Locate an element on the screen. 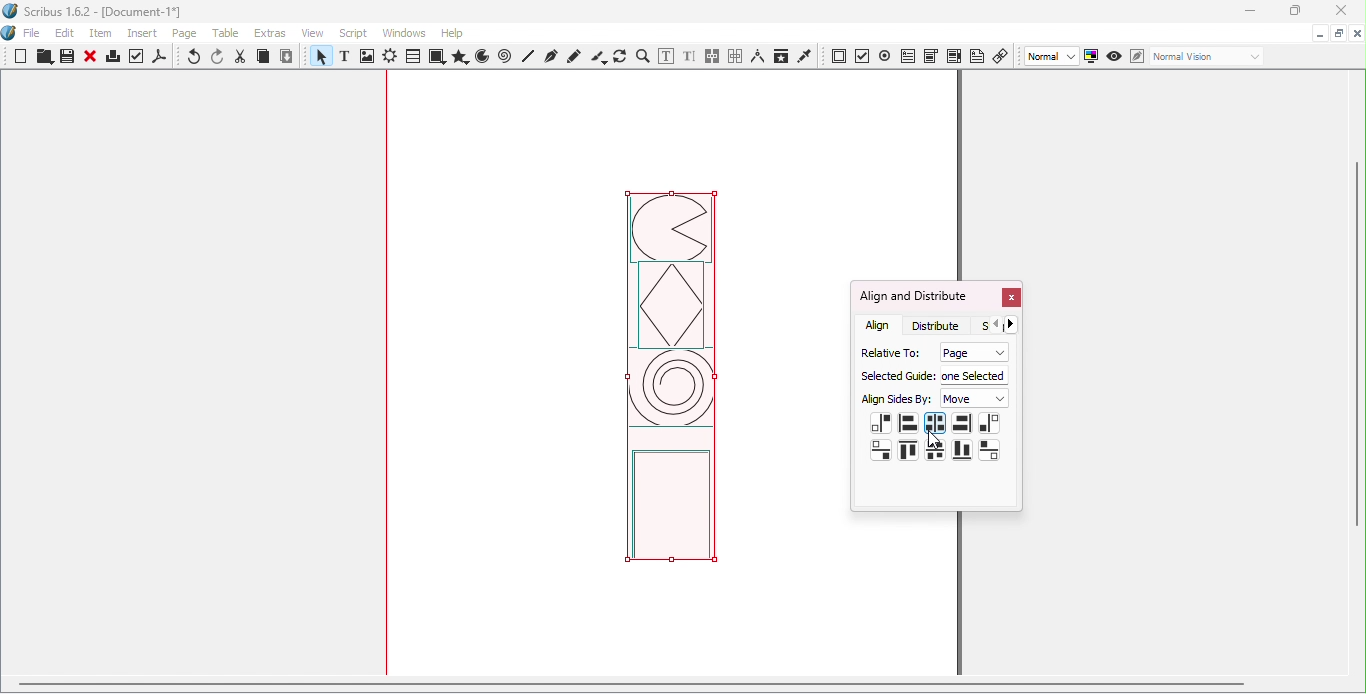 The width and height of the screenshot is (1366, 694). New is located at coordinates (21, 56).